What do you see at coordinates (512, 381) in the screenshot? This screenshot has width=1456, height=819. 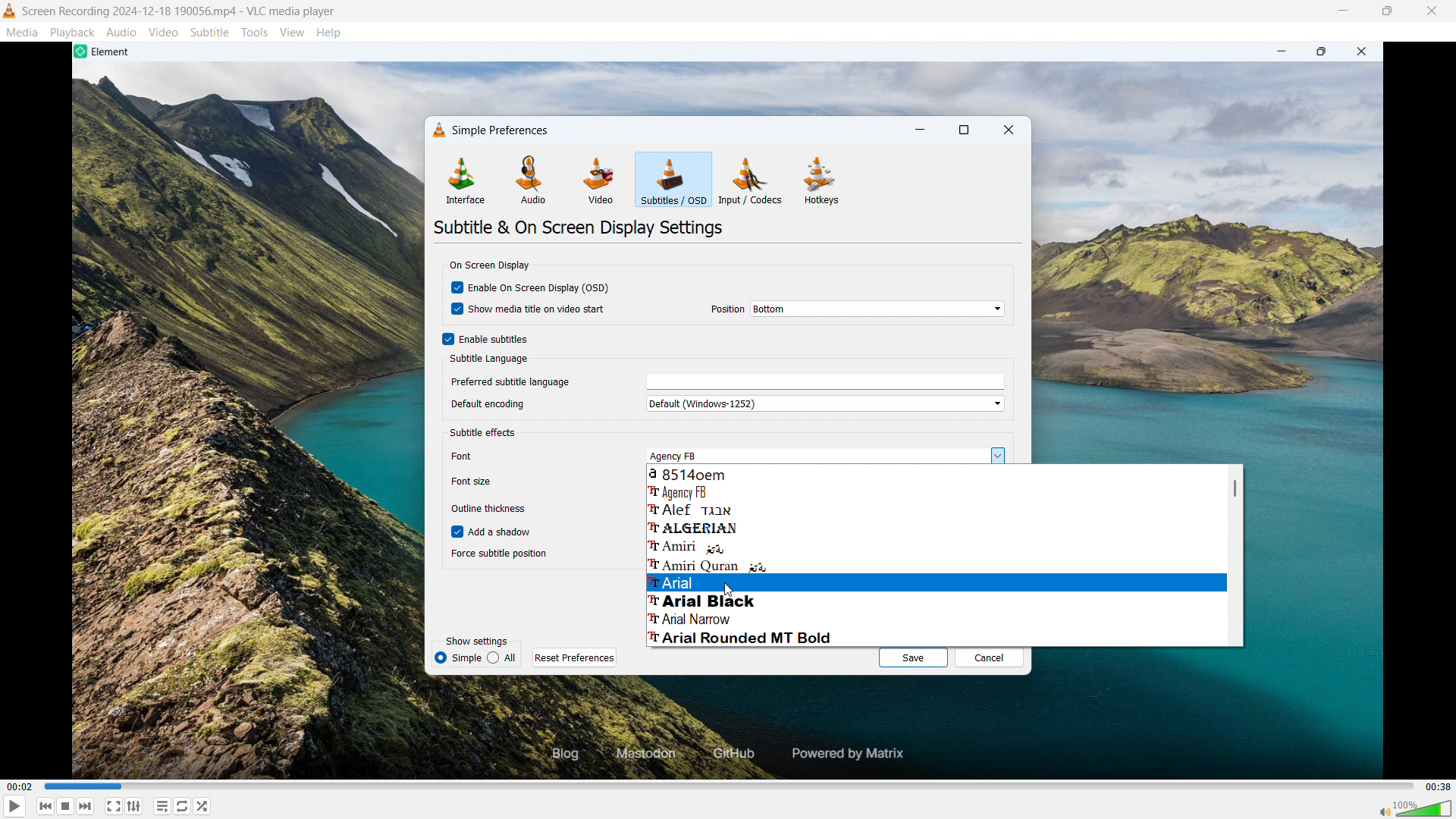 I see `Preferred subtitle language` at bounding box center [512, 381].